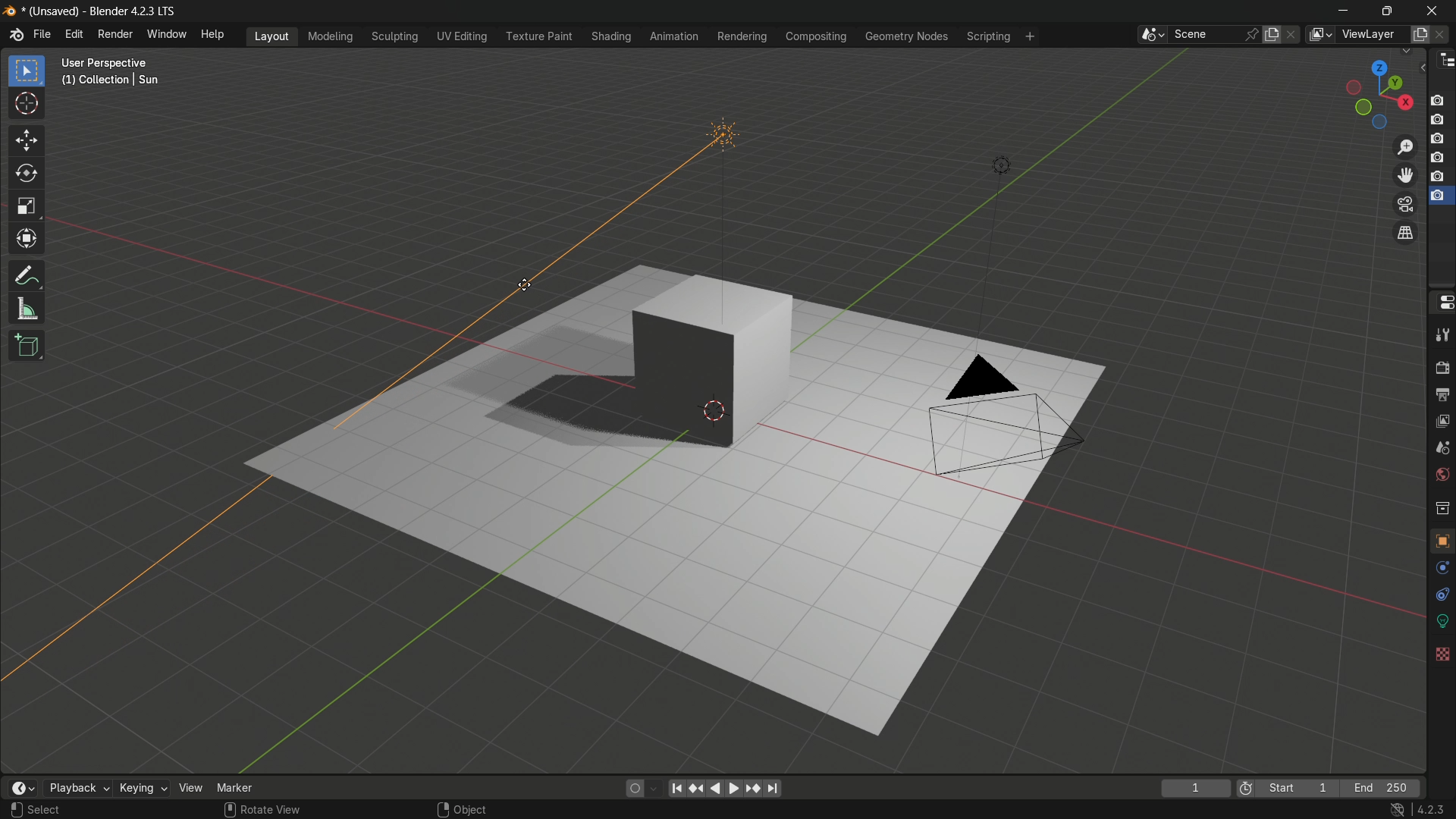 This screenshot has height=819, width=1456. Describe the element at coordinates (1442, 537) in the screenshot. I see `object` at that location.